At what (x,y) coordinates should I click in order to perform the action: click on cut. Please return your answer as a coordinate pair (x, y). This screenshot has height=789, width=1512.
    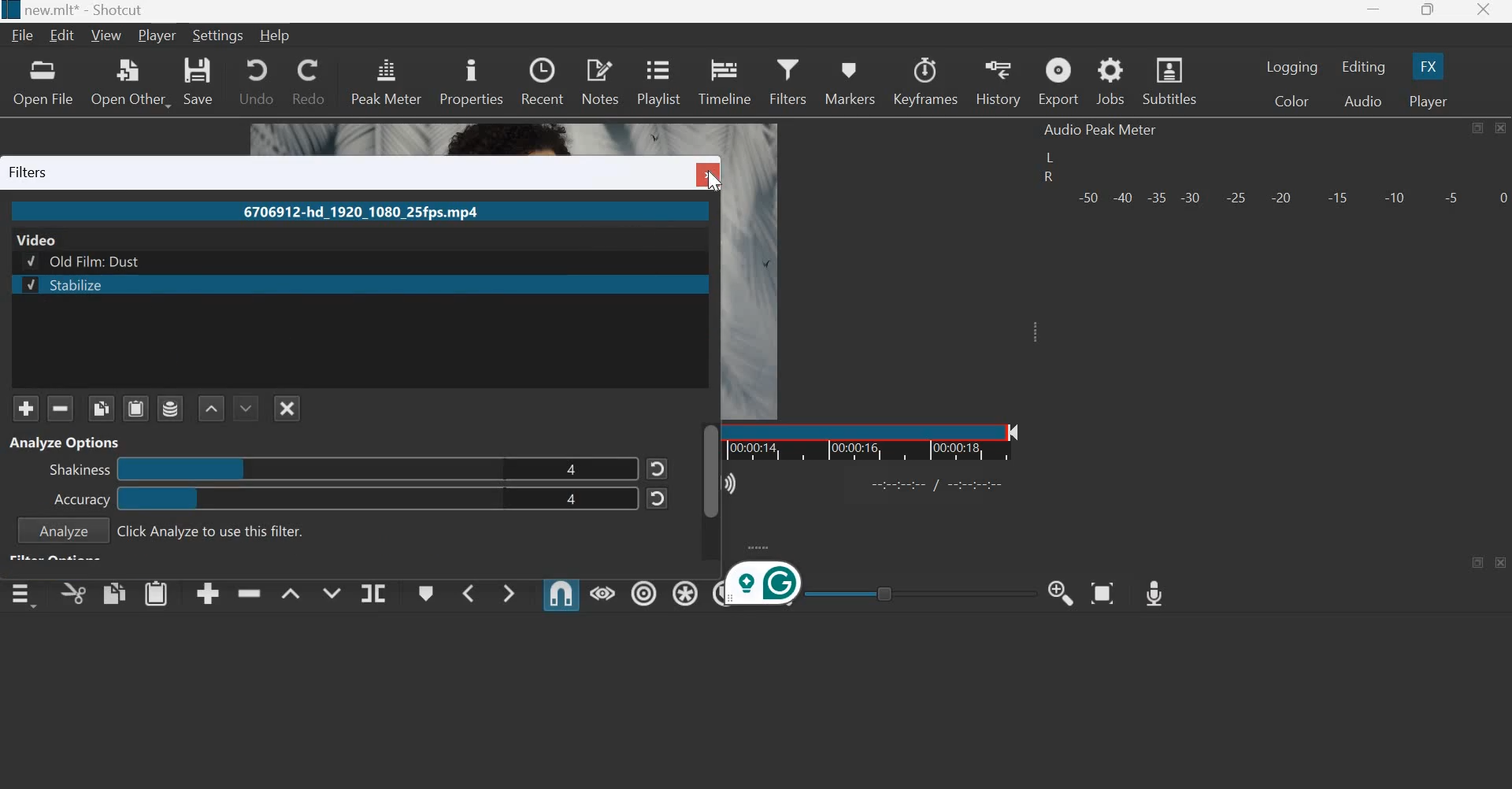
    Looking at the image, I should click on (74, 593).